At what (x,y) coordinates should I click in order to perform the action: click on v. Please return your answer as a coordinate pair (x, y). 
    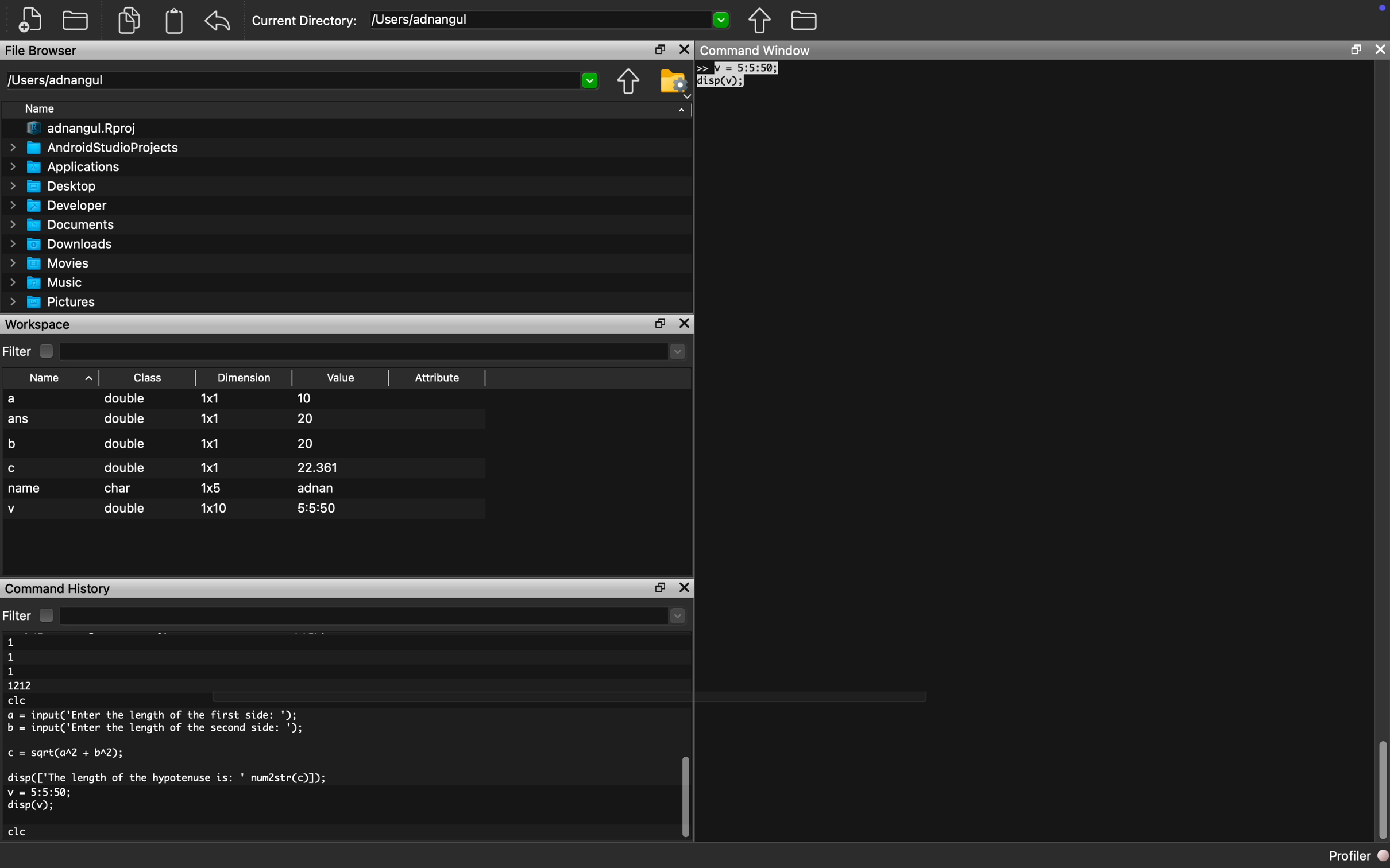
    Looking at the image, I should click on (14, 510).